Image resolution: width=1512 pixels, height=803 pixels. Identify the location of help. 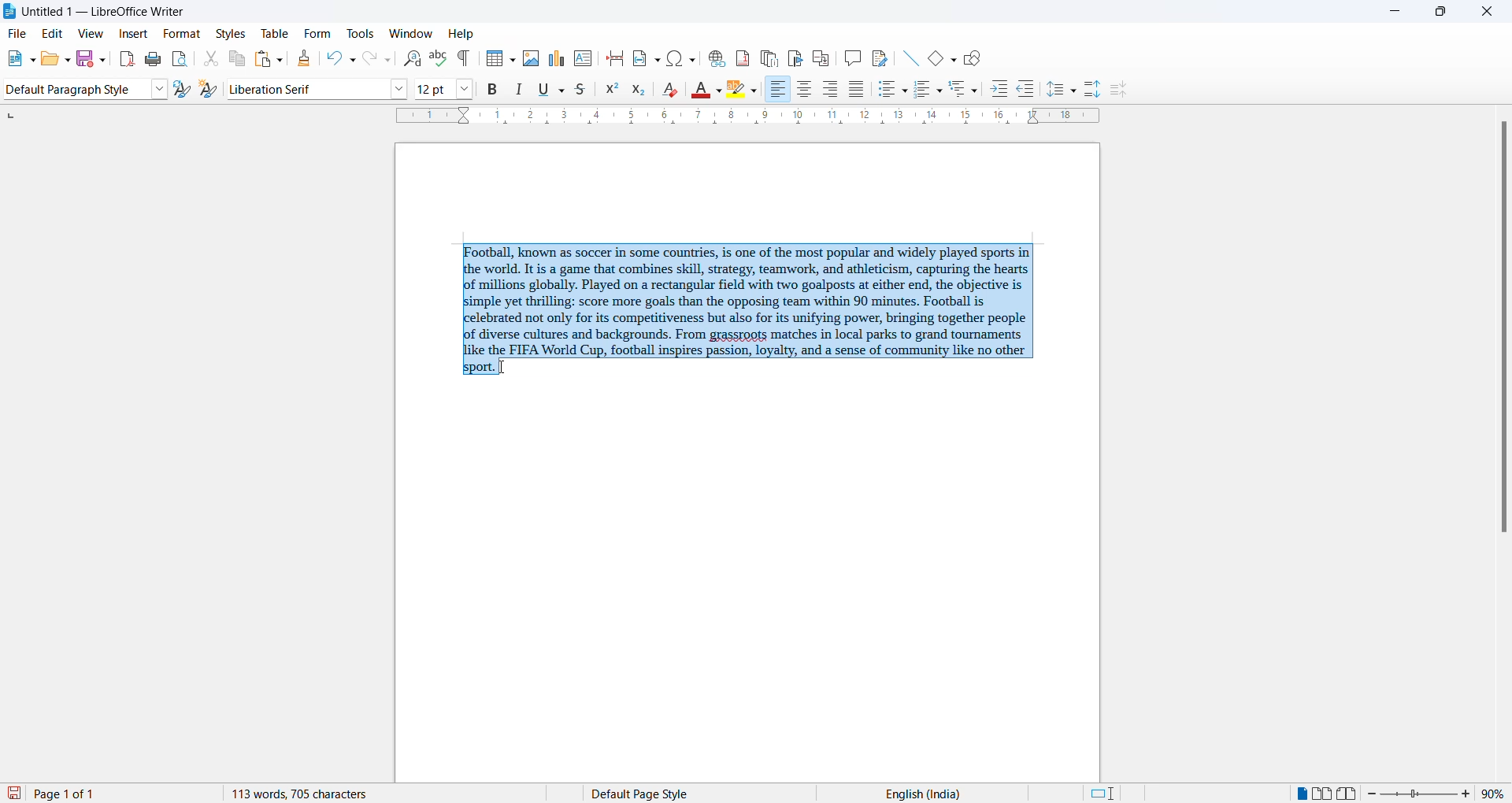
(461, 33).